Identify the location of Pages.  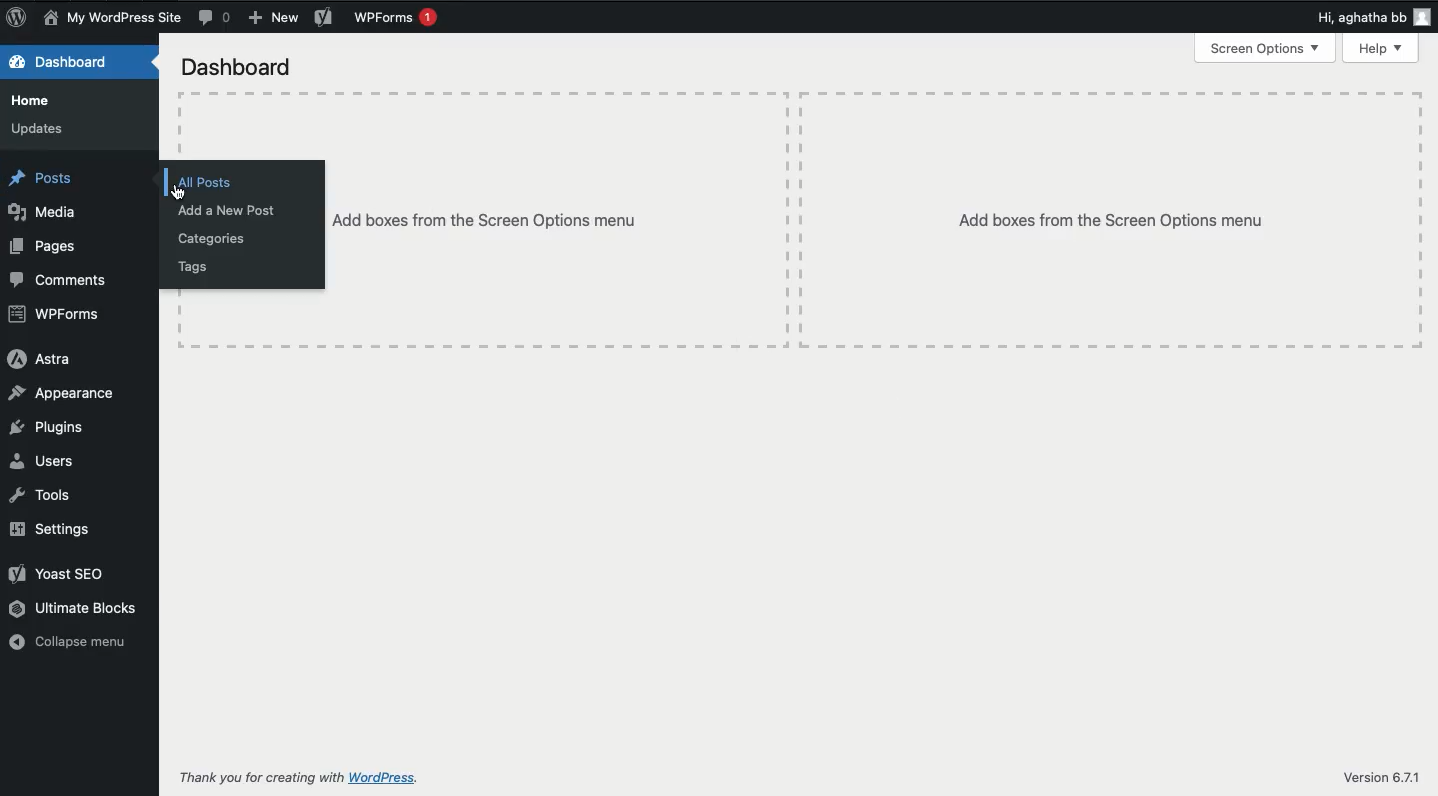
(45, 248).